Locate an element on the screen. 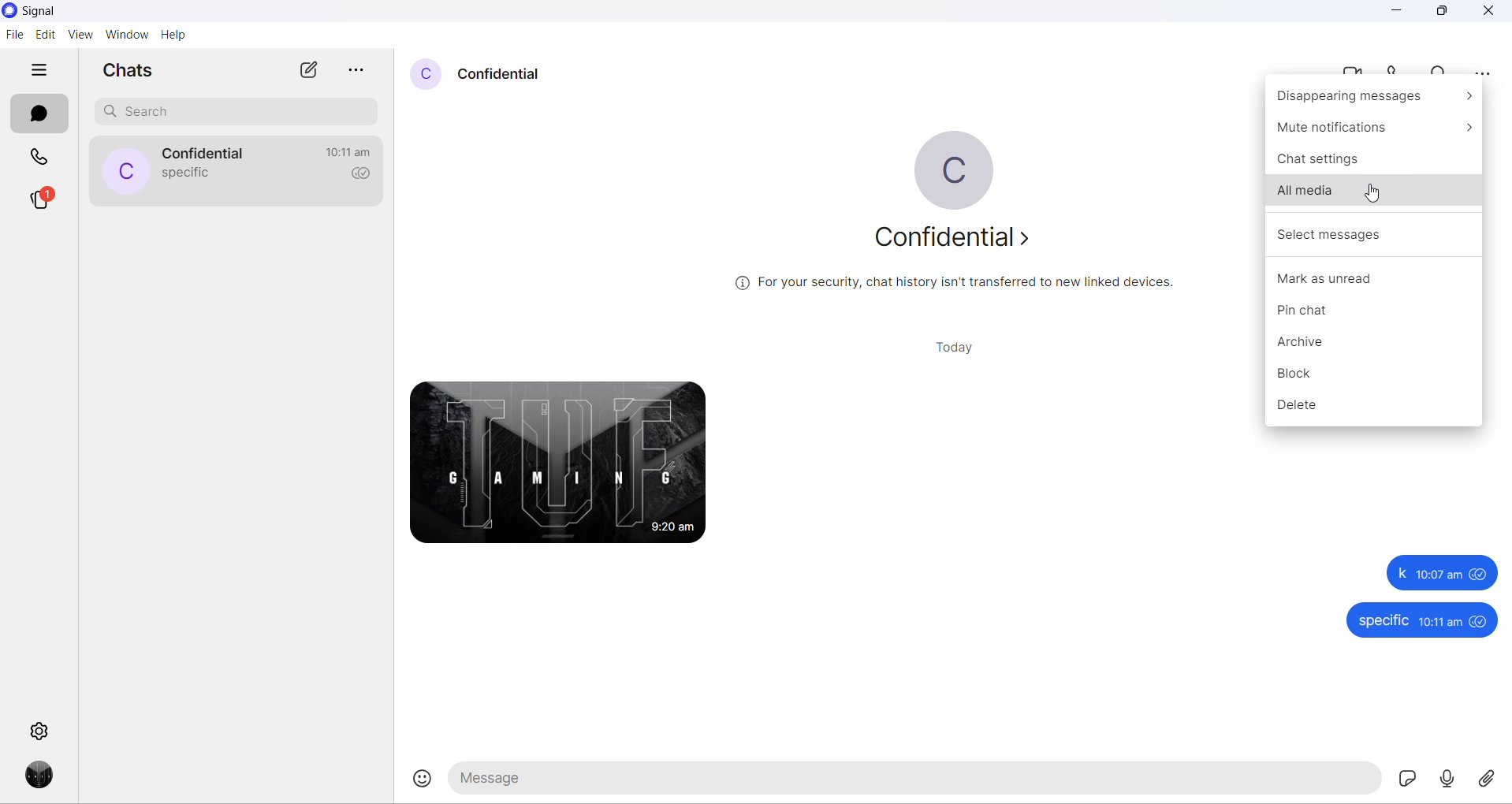 The image size is (1512, 804). about contacts is located at coordinates (957, 237).